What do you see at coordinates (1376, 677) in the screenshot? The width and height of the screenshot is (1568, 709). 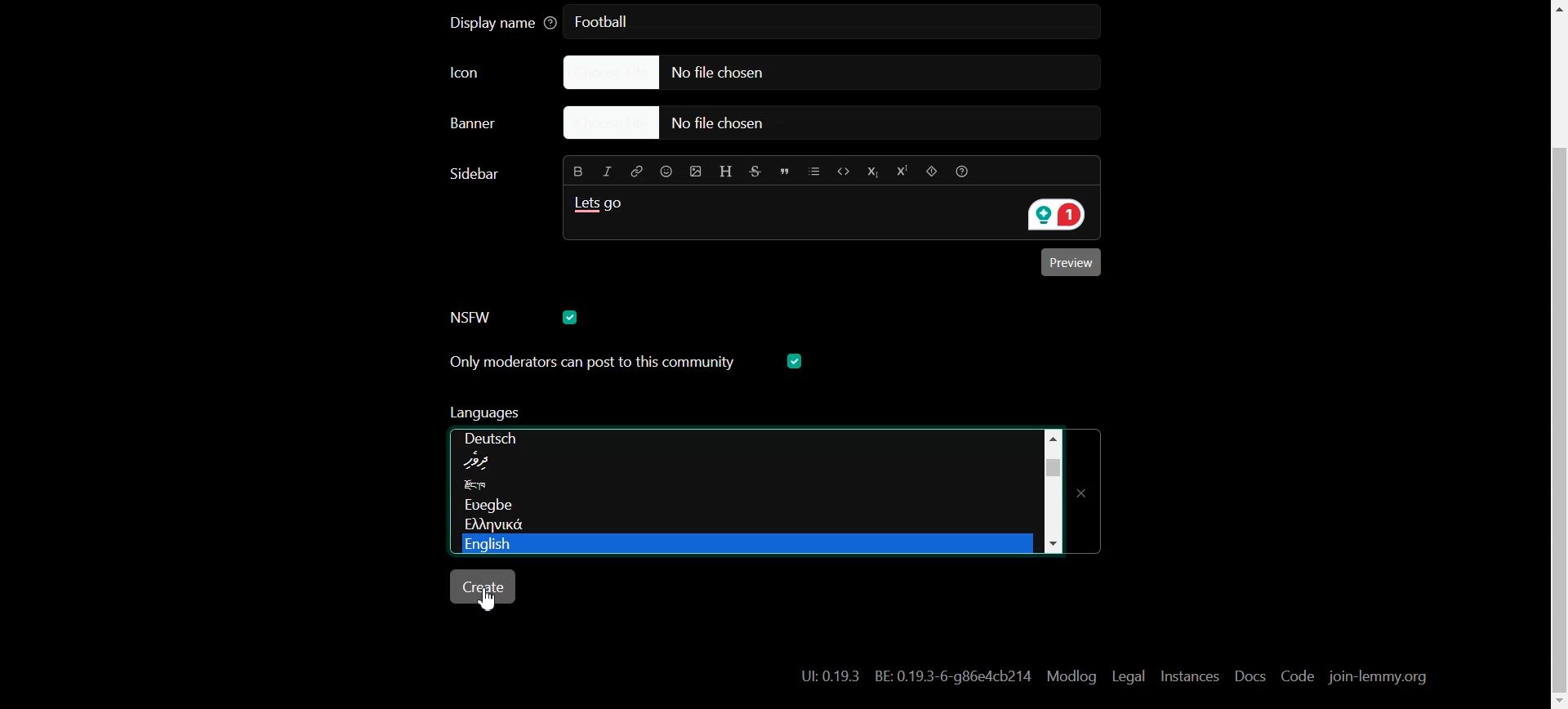 I see `Join-lemmy.org` at bounding box center [1376, 677].